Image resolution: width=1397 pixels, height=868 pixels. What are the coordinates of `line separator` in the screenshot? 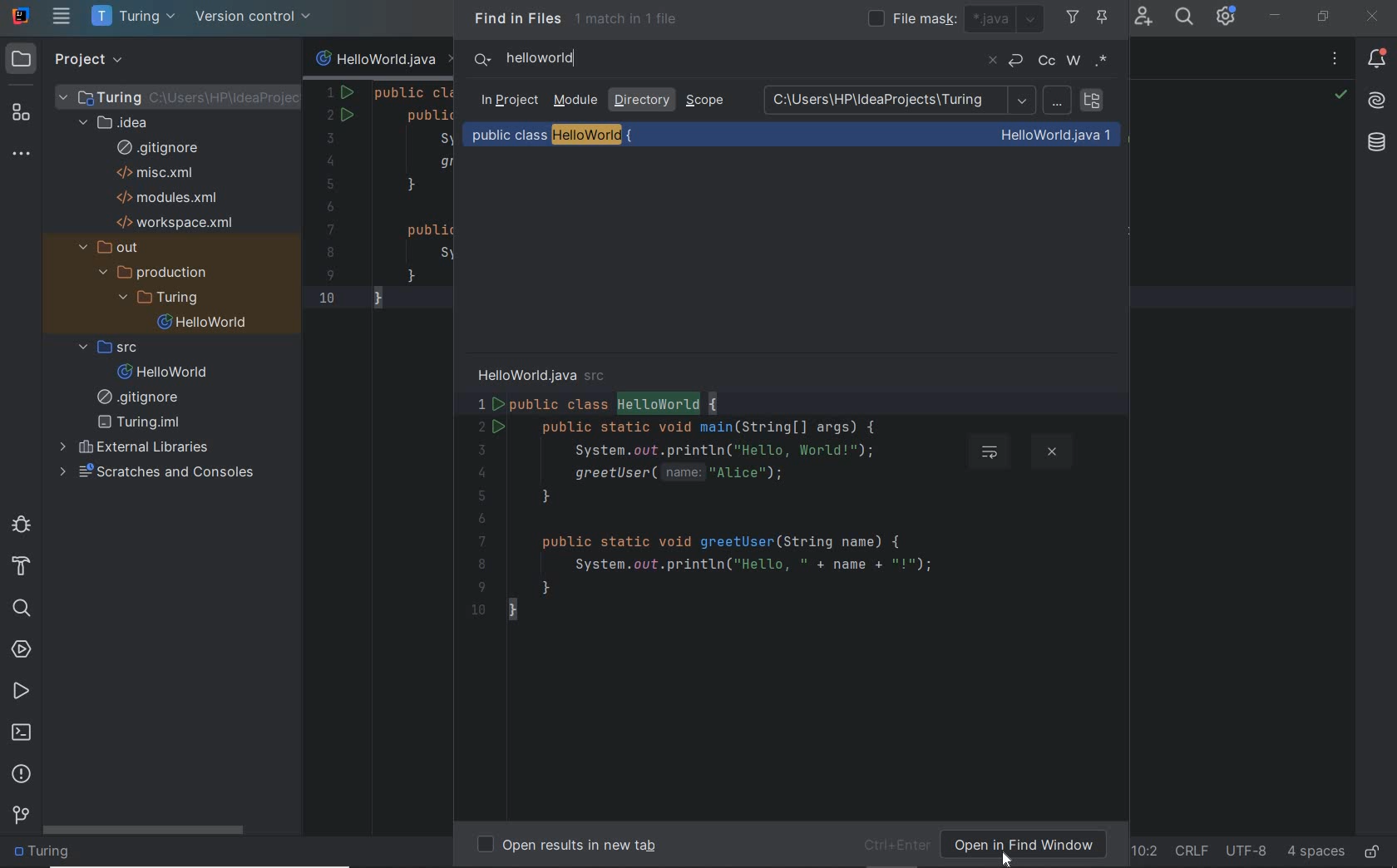 It's located at (1194, 851).